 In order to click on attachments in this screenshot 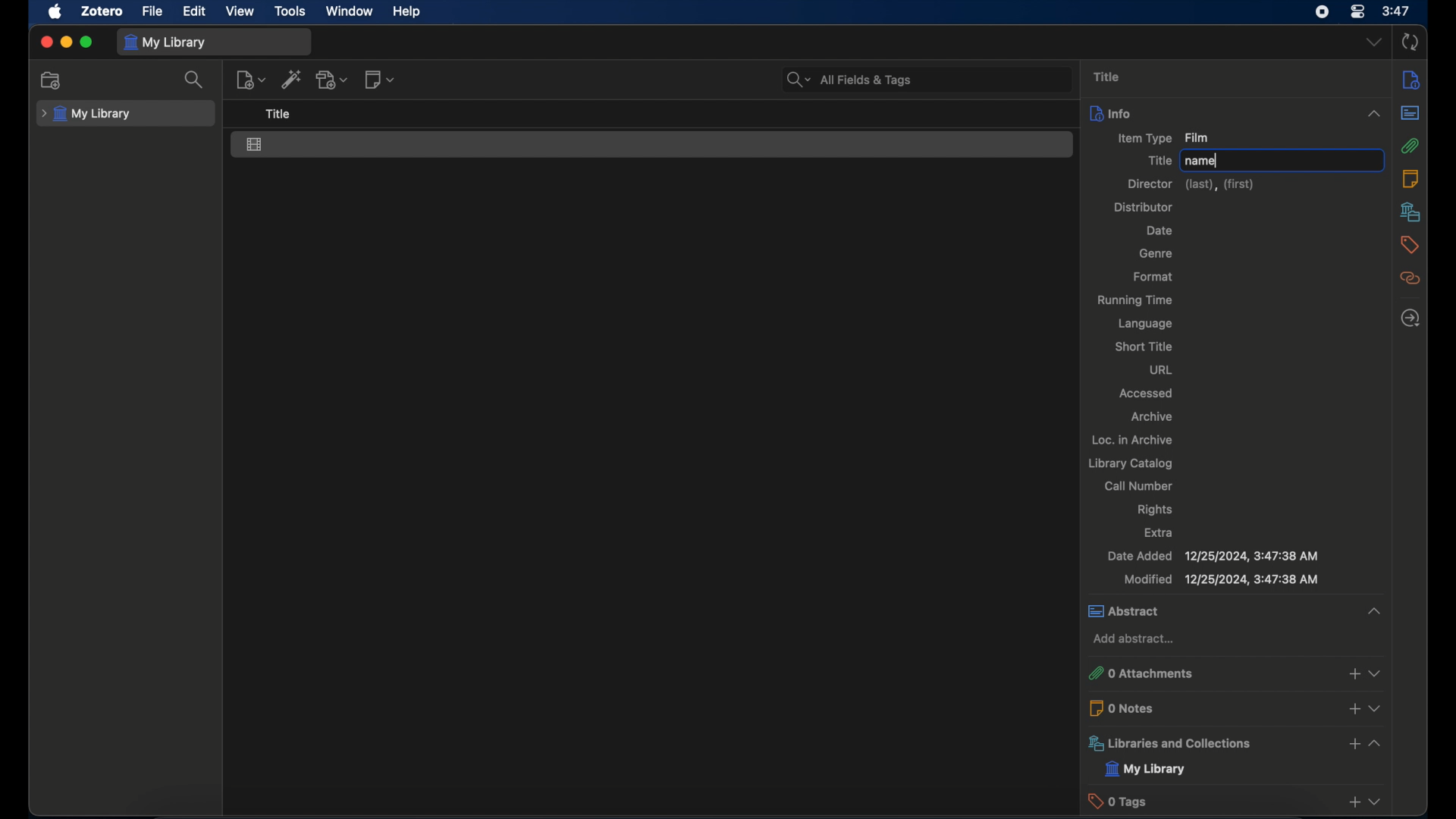, I will do `click(1411, 146)`.